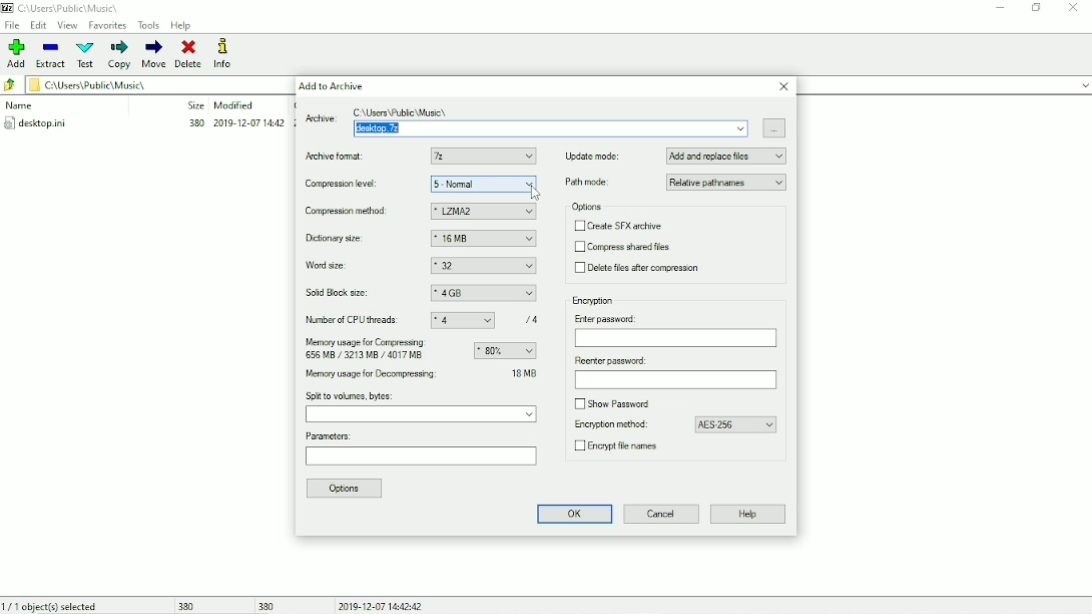 Image resolution: width=1092 pixels, height=614 pixels. I want to click on Close, so click(784, 86).